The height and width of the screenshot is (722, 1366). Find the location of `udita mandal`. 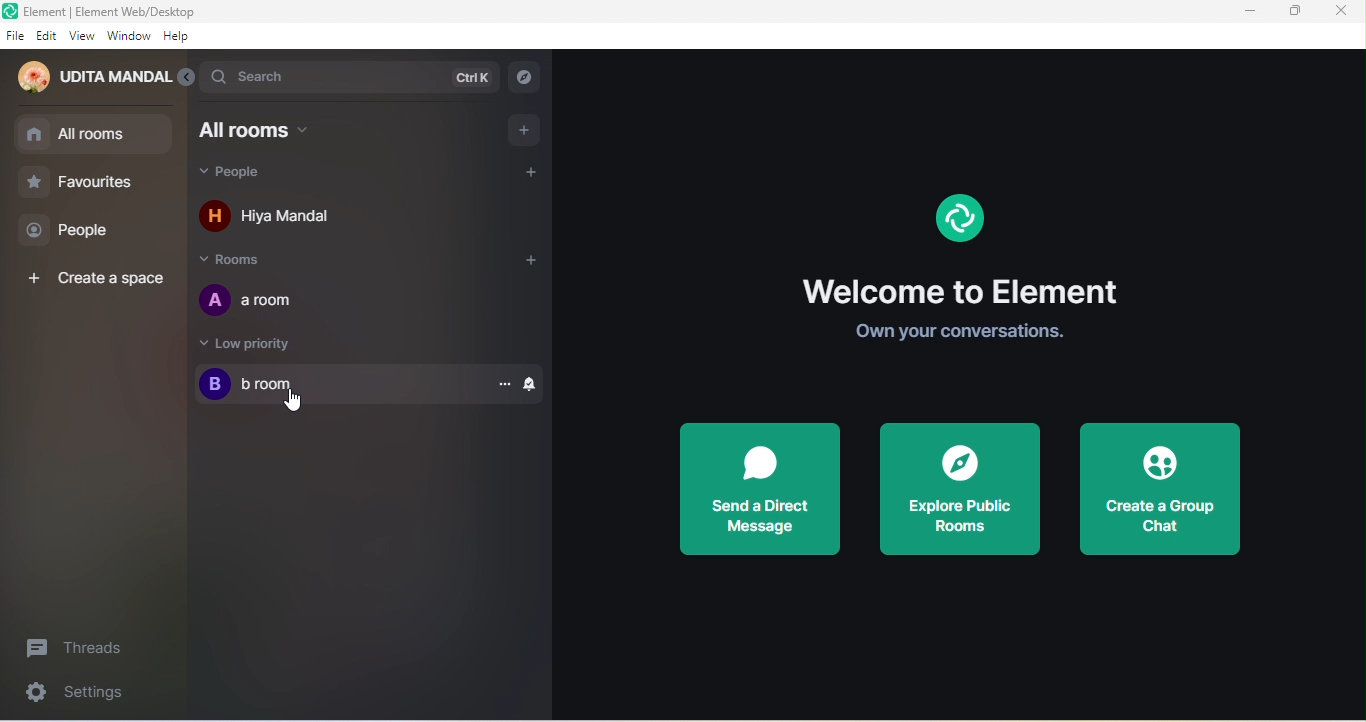

udita mandal is located at coordinates (93, 77).